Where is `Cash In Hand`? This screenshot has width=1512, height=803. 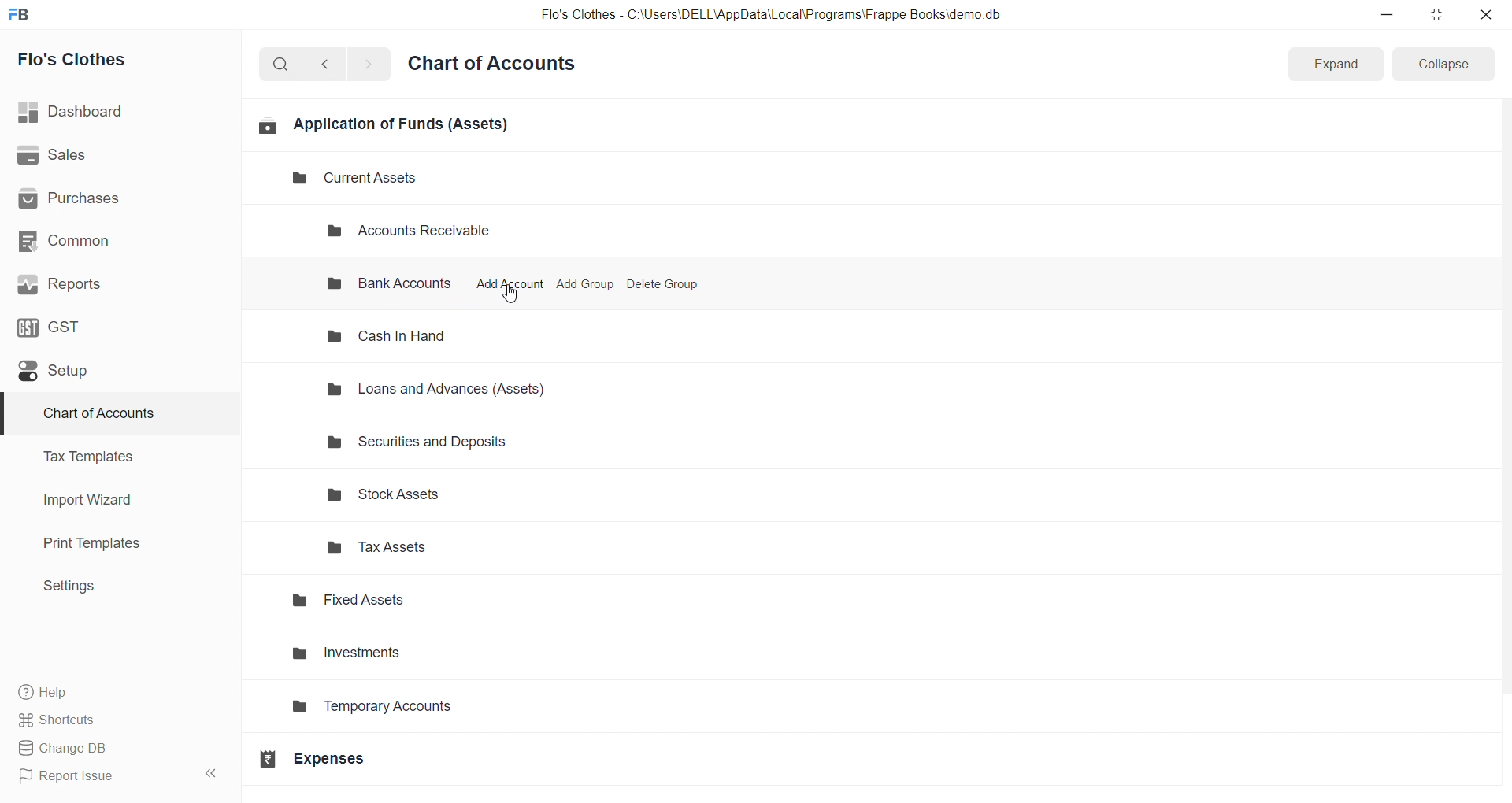
Cash In Hand is located at coordinates (396, 336).